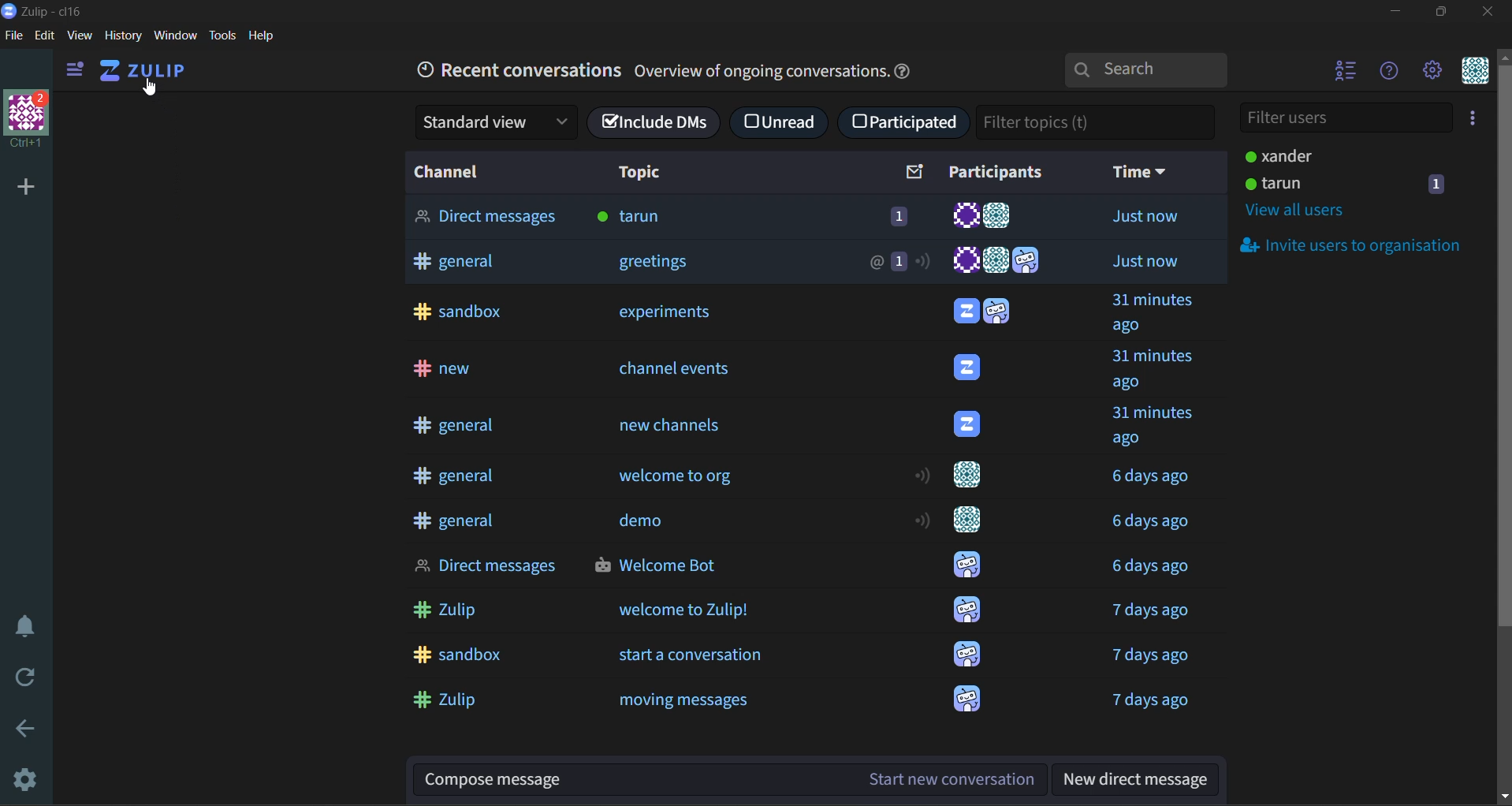  What do you see at coordinates (1503, 351) in the screenshot?
I see `vertical scroll bar` at bounding box center [1503, 351].